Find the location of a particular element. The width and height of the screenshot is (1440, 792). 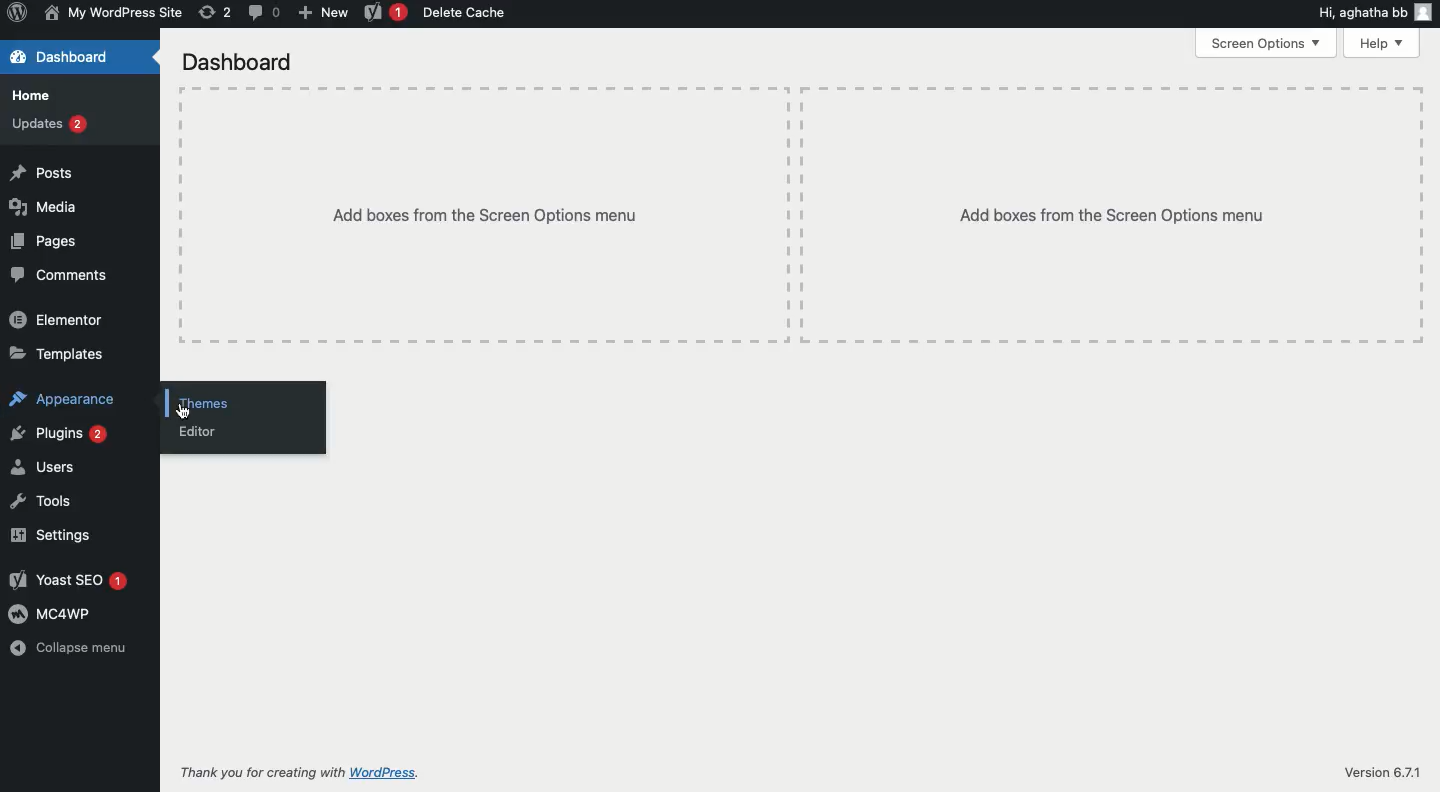

Settings is located at coordinates (51, 537).